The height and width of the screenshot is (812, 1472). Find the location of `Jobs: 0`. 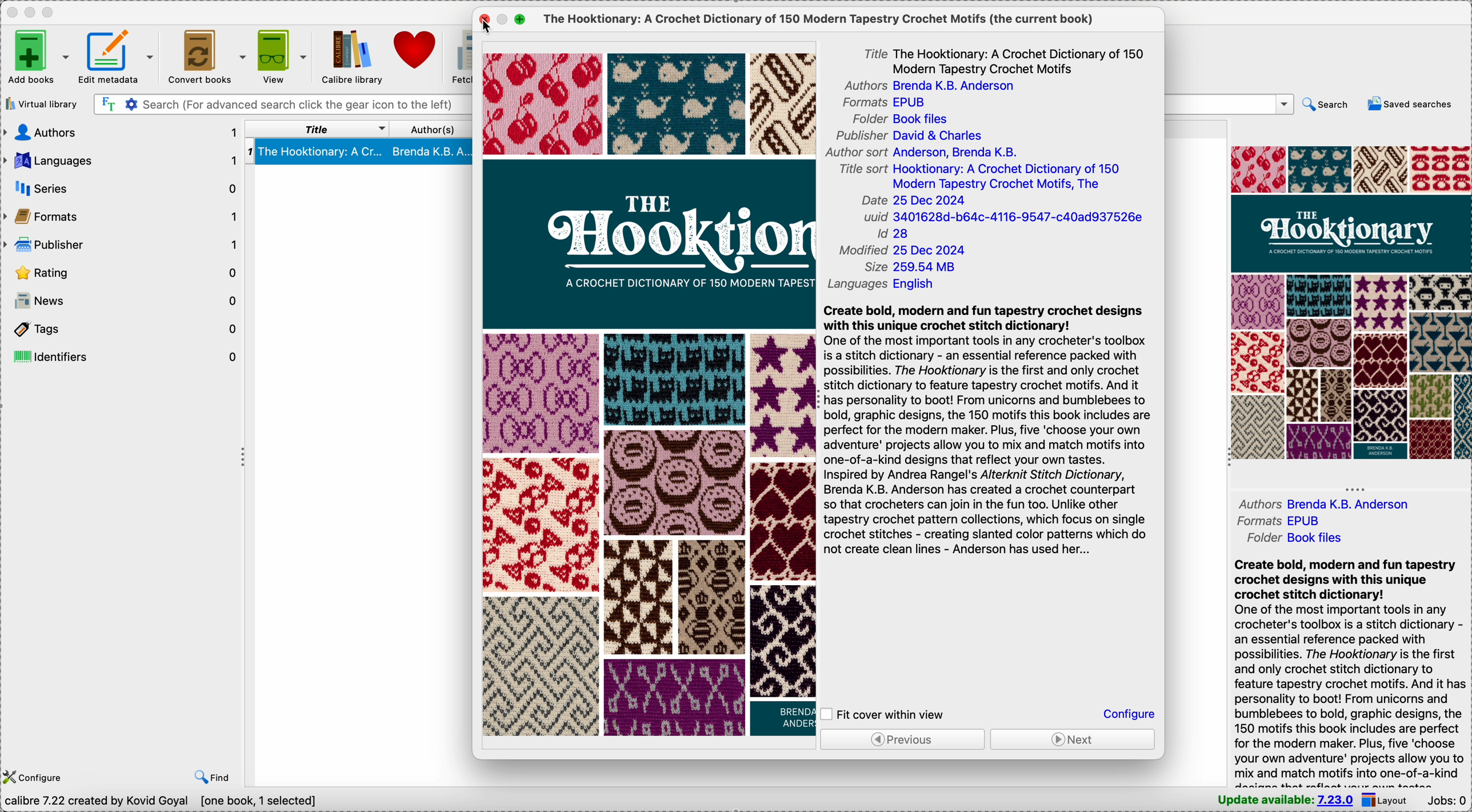

Jobs: 0 is located at coordinates (1447, 801).